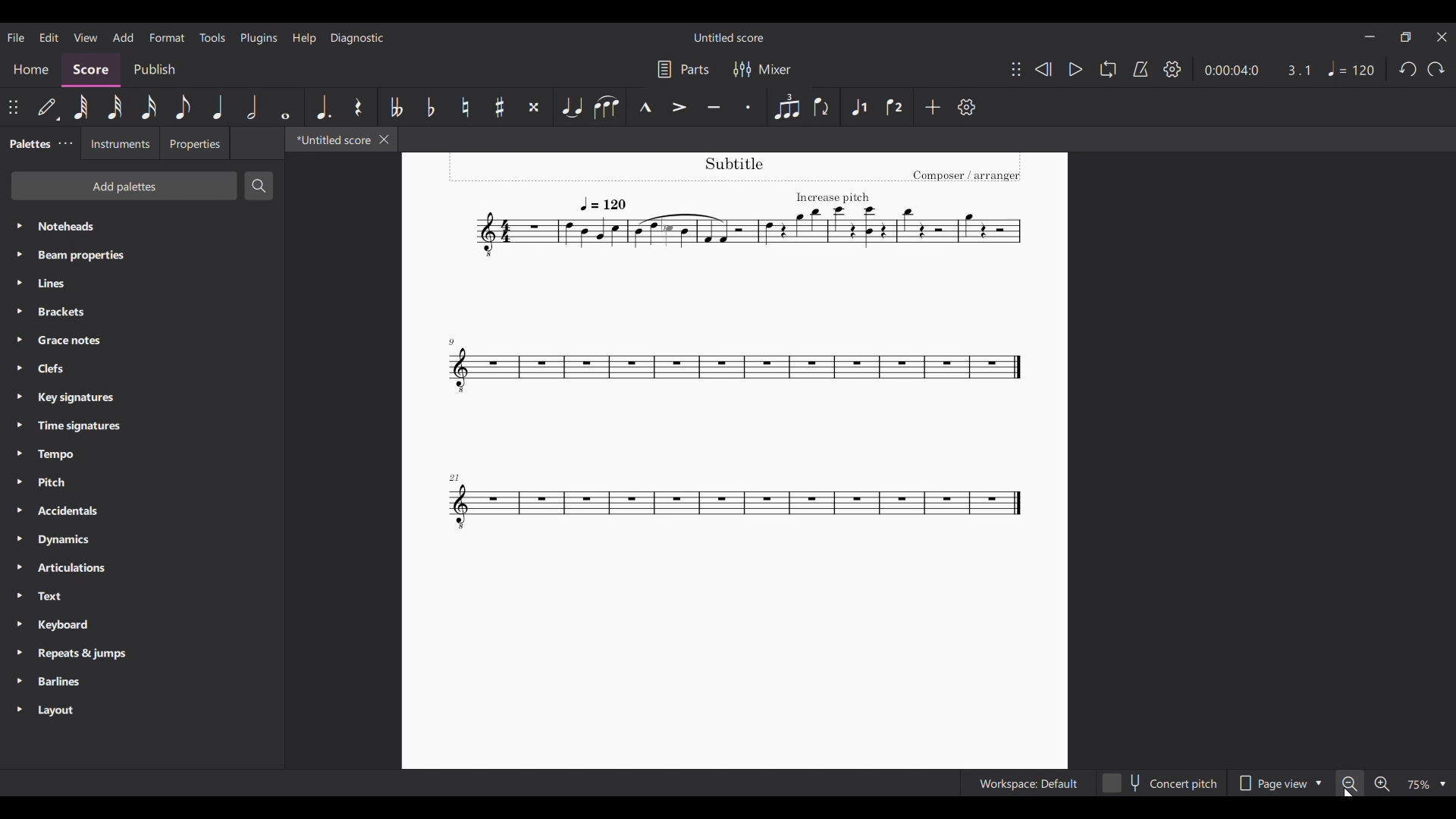 This screenshot has width=1456, height=819. What do you see at coordinates (143, 227) in the screenshot?
I see `Noteheads` at bounding box center [143, 227].